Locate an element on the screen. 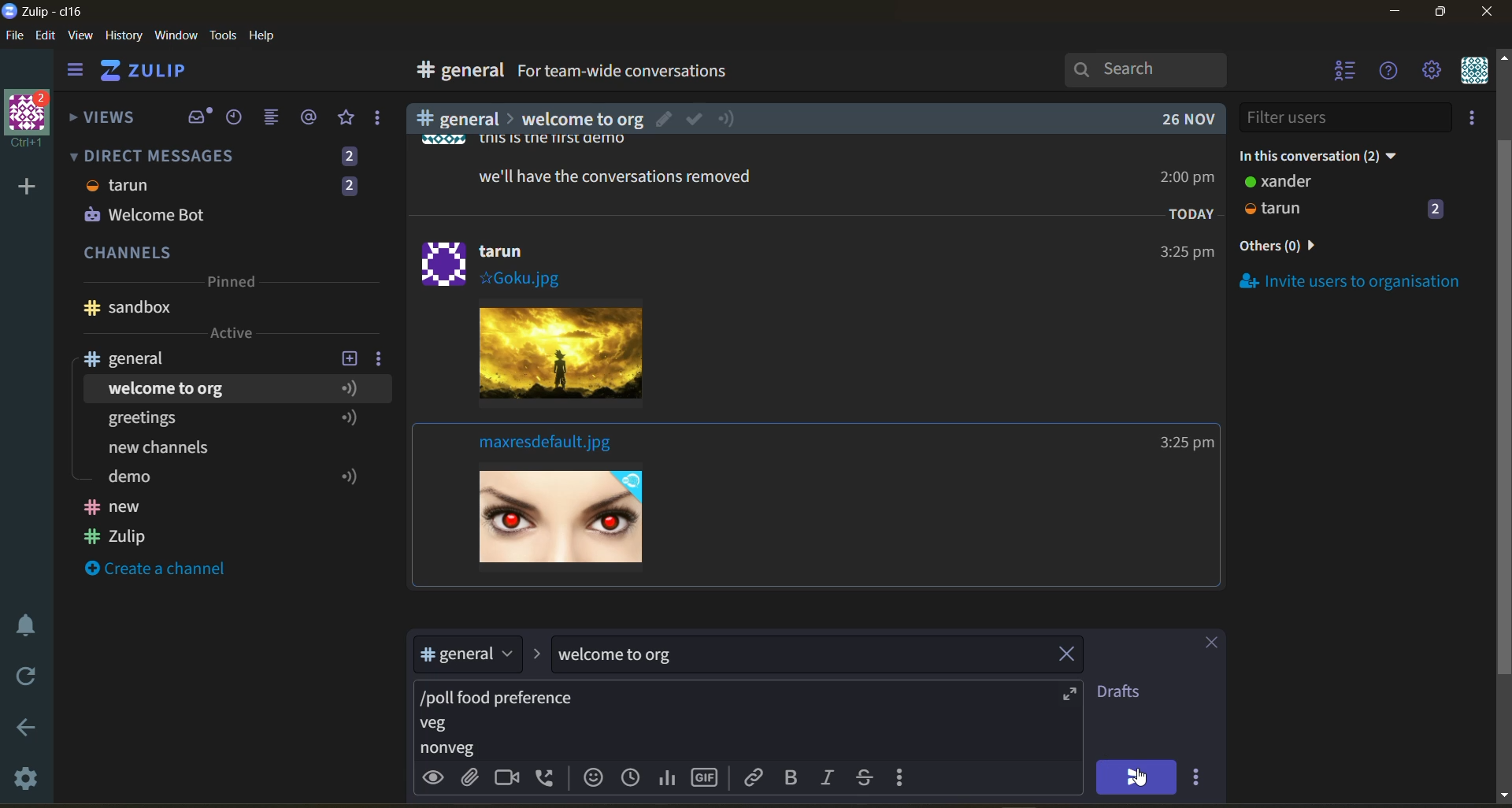 This screenshot has width=1512, height=808. channels is located at coordinates (228, 254).